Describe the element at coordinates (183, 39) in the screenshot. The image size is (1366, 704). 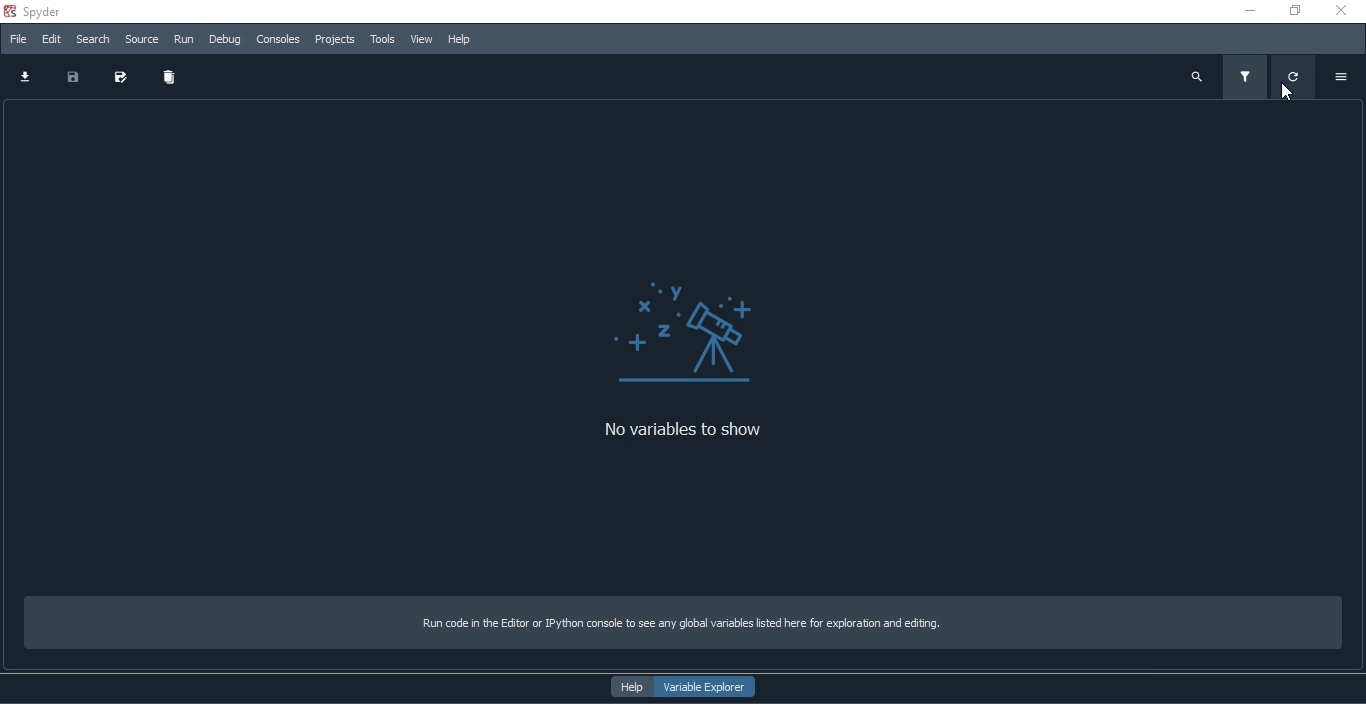
I see `Run` at that location.